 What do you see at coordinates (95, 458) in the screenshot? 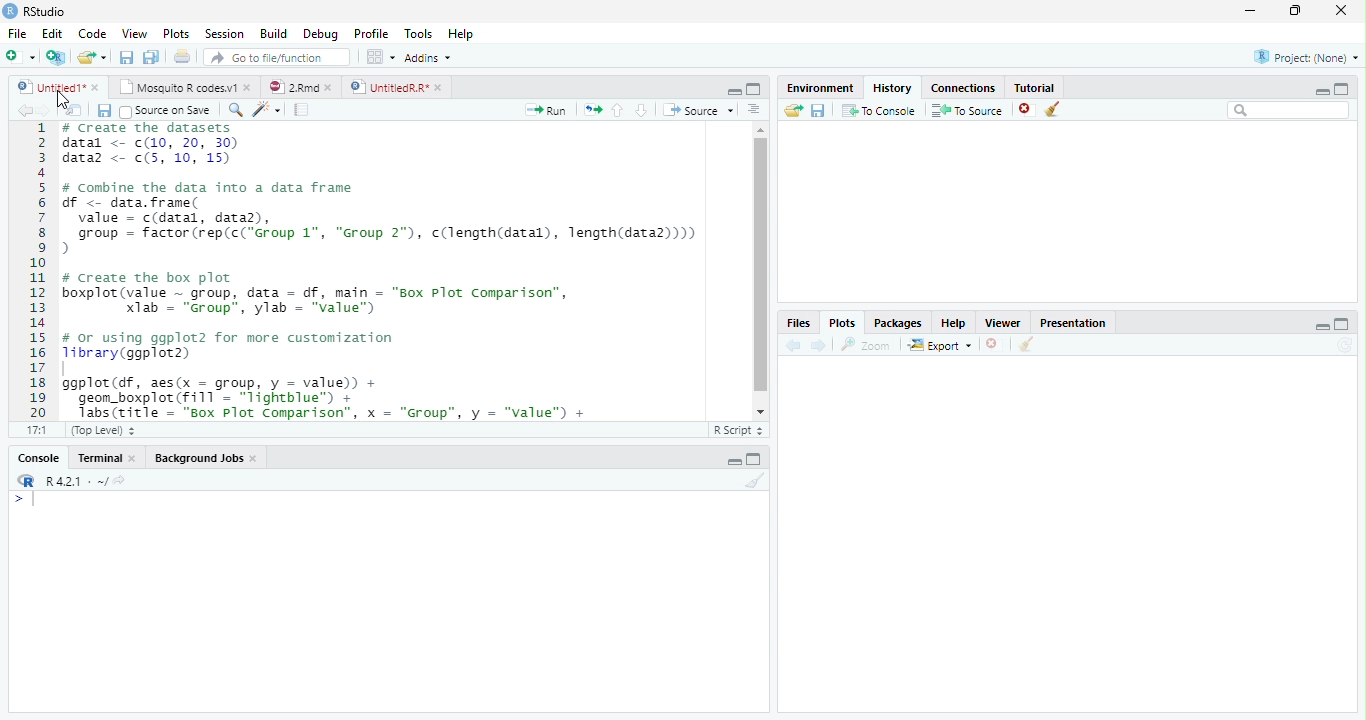
I see `Terminal` at bounding box center [95, 458].